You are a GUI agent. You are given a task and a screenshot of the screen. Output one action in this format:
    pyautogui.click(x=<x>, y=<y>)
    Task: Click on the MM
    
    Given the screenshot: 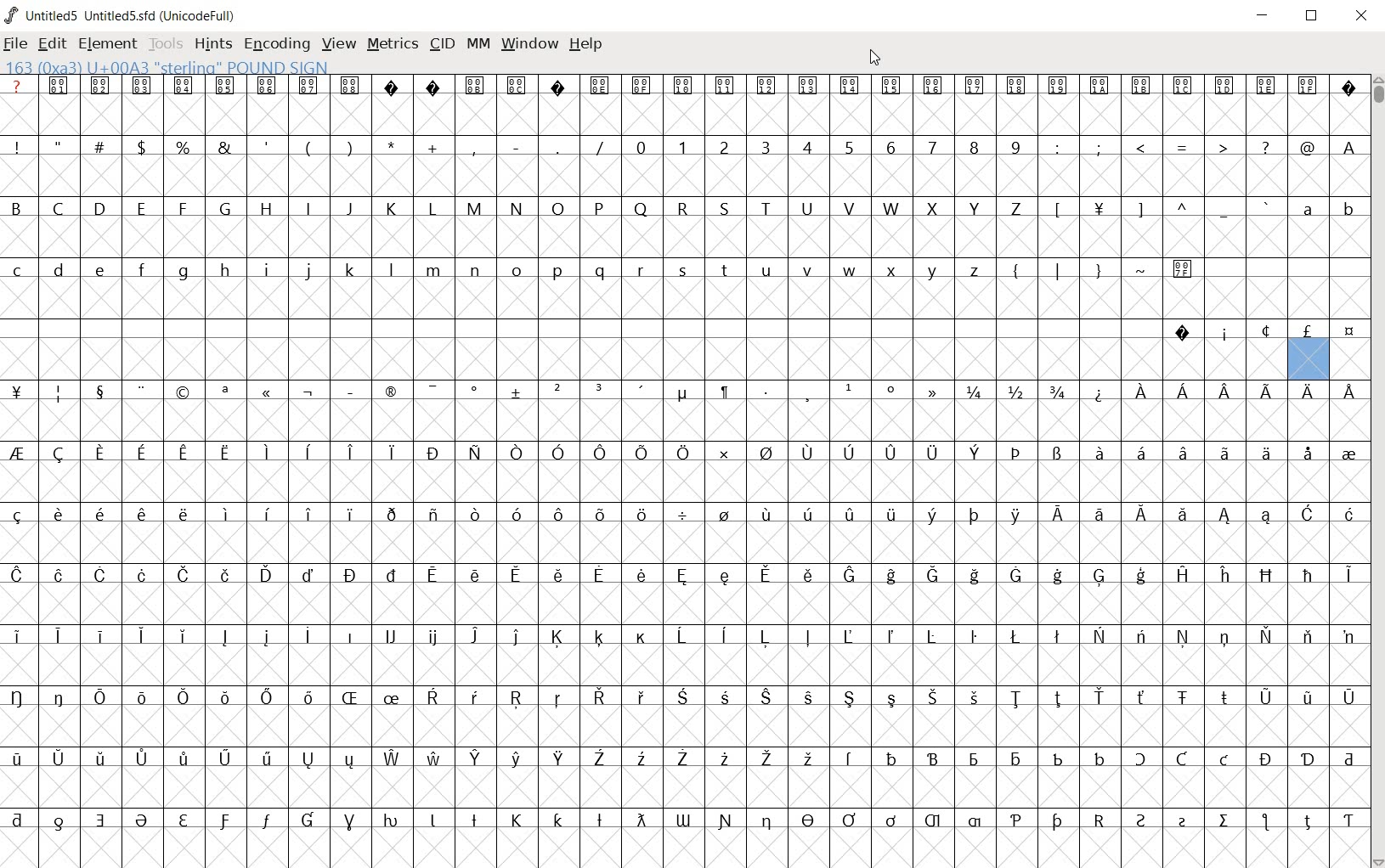 What is the action you would take?
    pyautogui.click(x=479, y=45)
    